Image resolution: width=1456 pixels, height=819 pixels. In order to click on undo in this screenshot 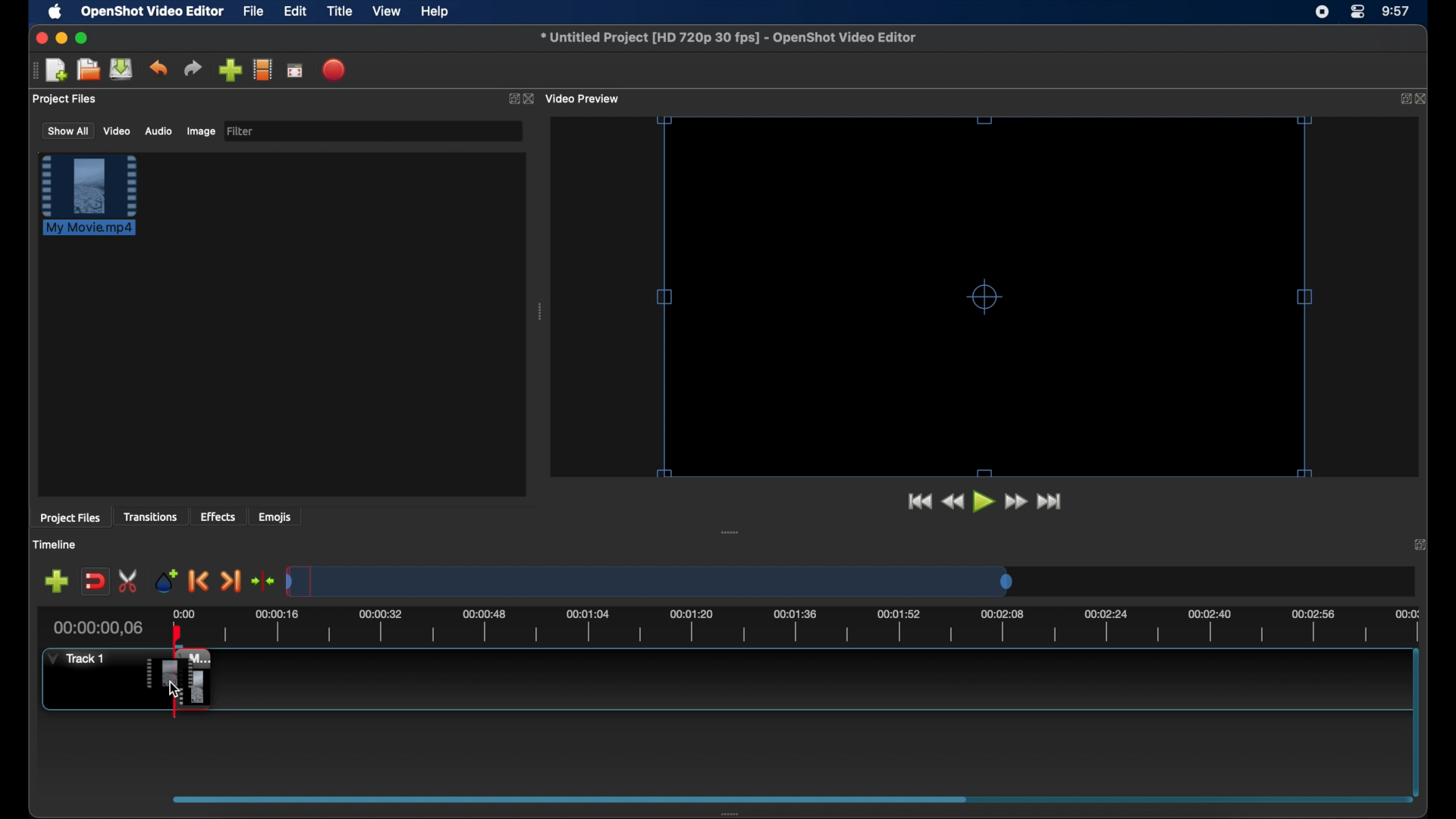, I will do `click(158, 68)`.